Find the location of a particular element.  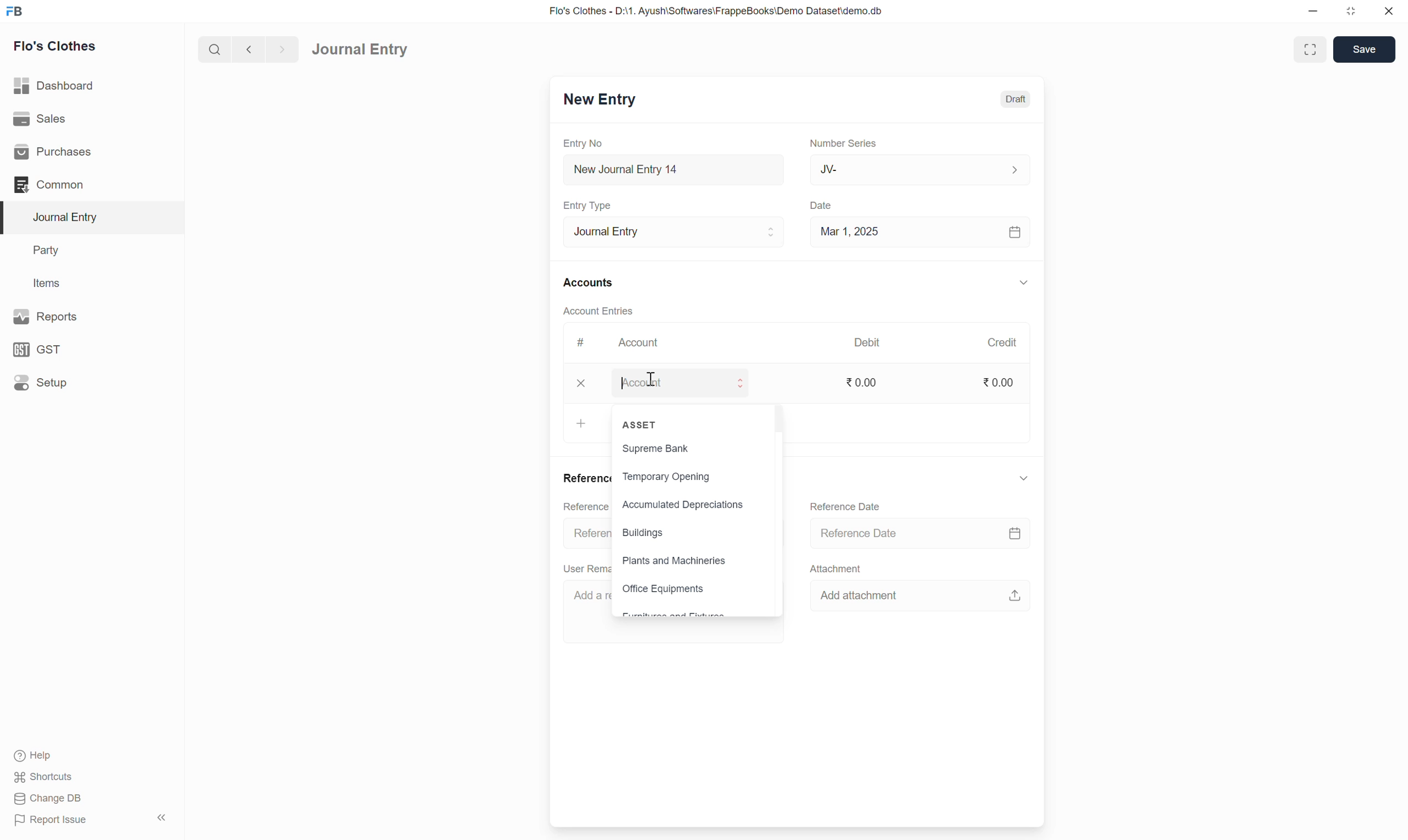

Journal Entry is located at coordinates (360, 50).